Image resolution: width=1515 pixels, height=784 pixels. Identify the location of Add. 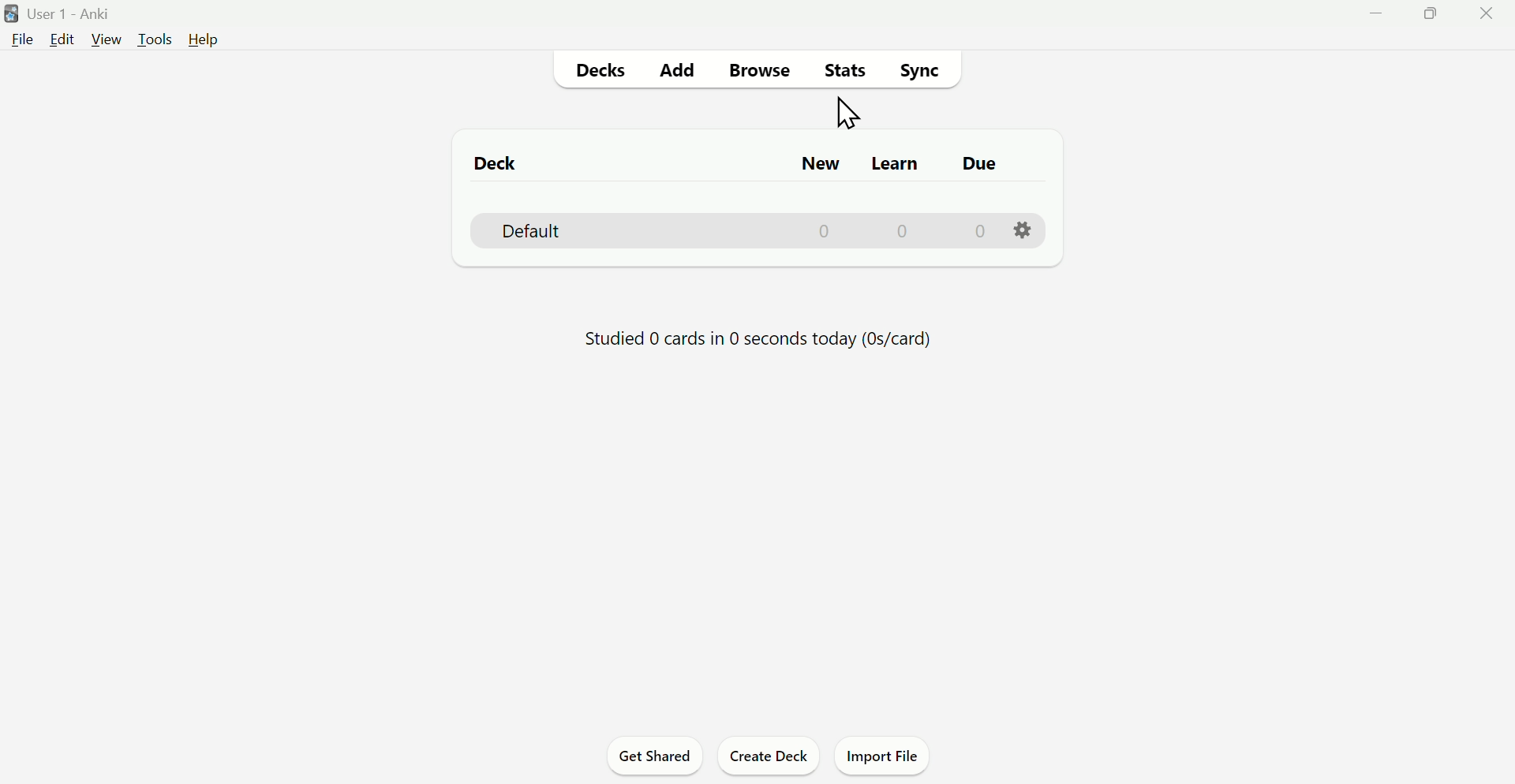
(675, 69).